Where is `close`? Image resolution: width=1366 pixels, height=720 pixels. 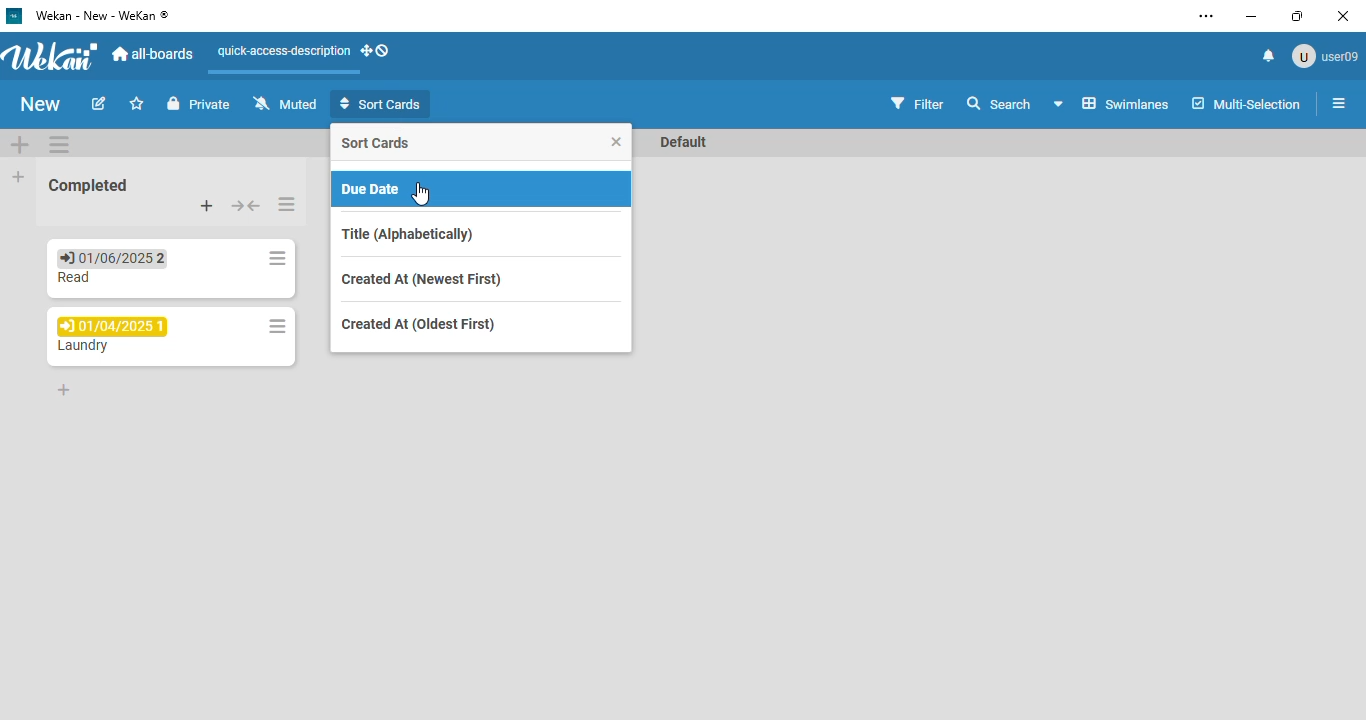
close is located at coordinates (616, 141).